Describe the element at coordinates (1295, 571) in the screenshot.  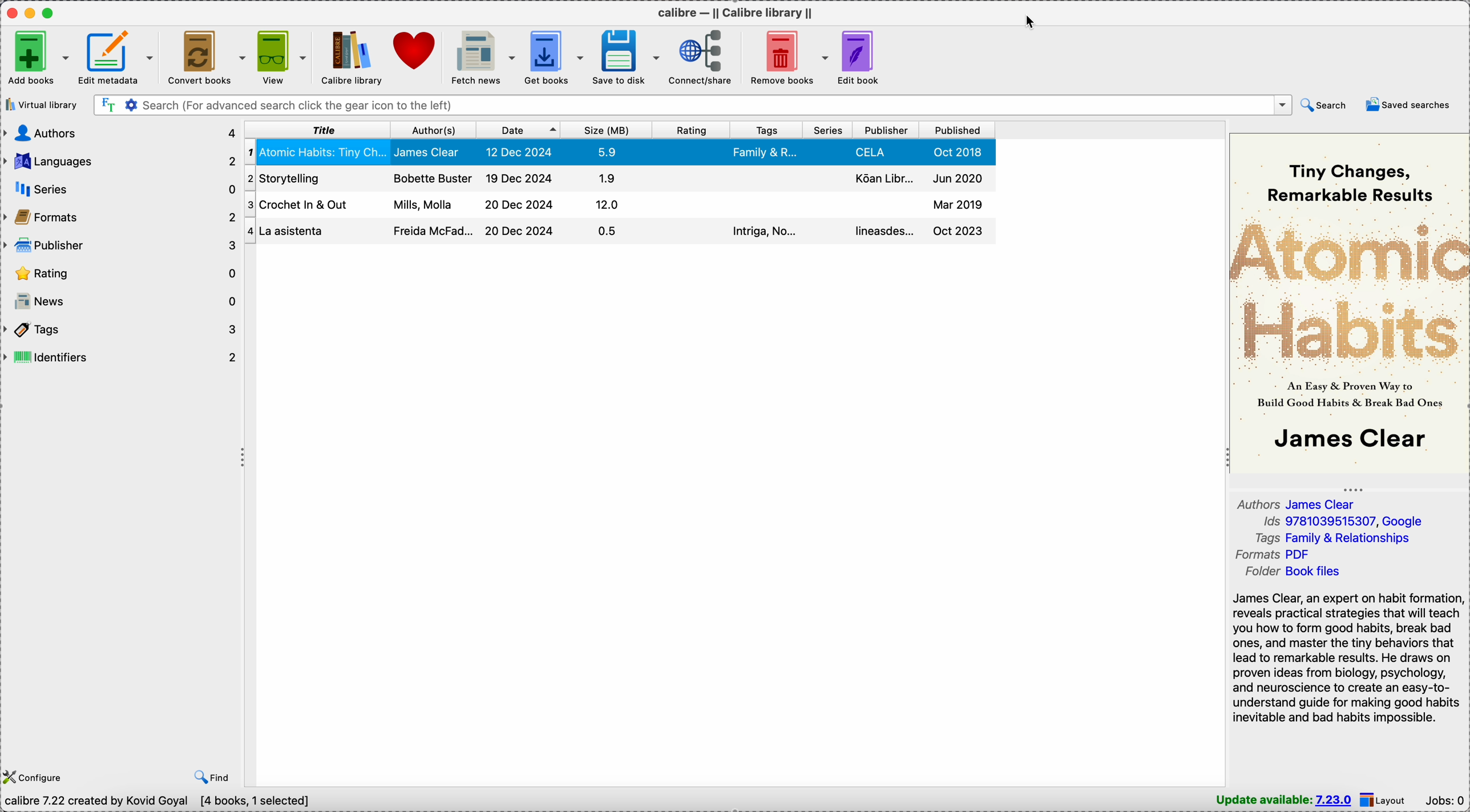
I see `folder Book files` at that location.